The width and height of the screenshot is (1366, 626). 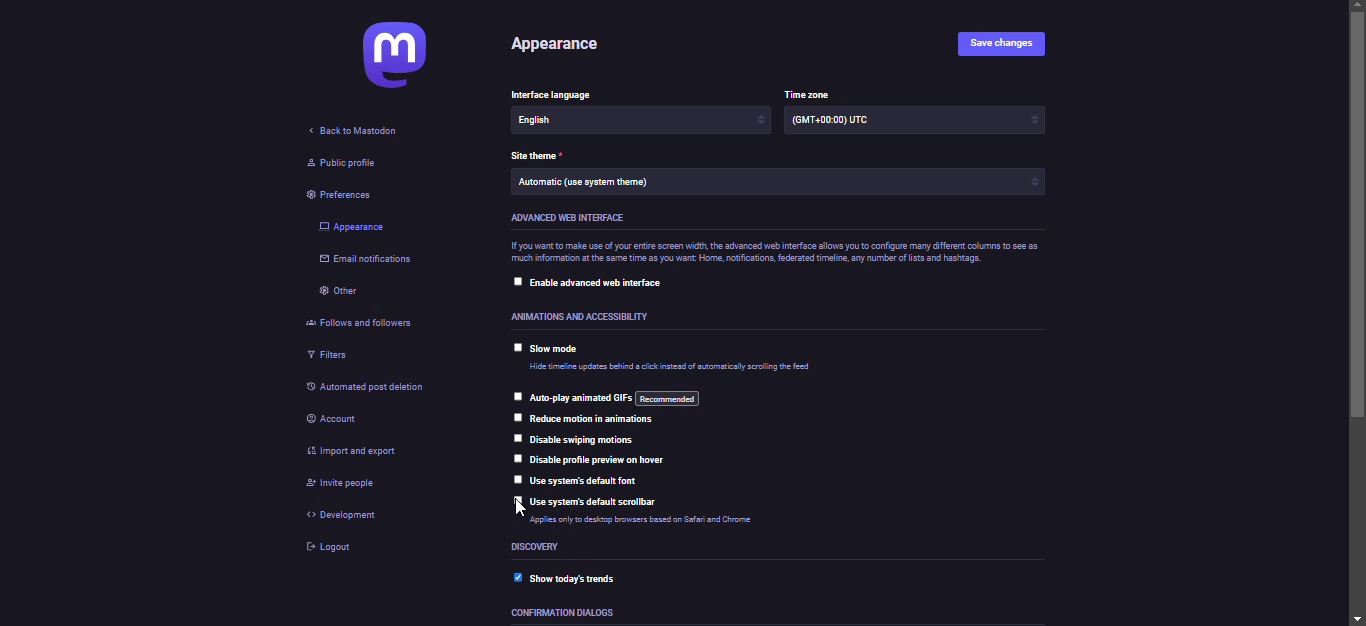 I want to click on filters, so click(x=333, y=354).